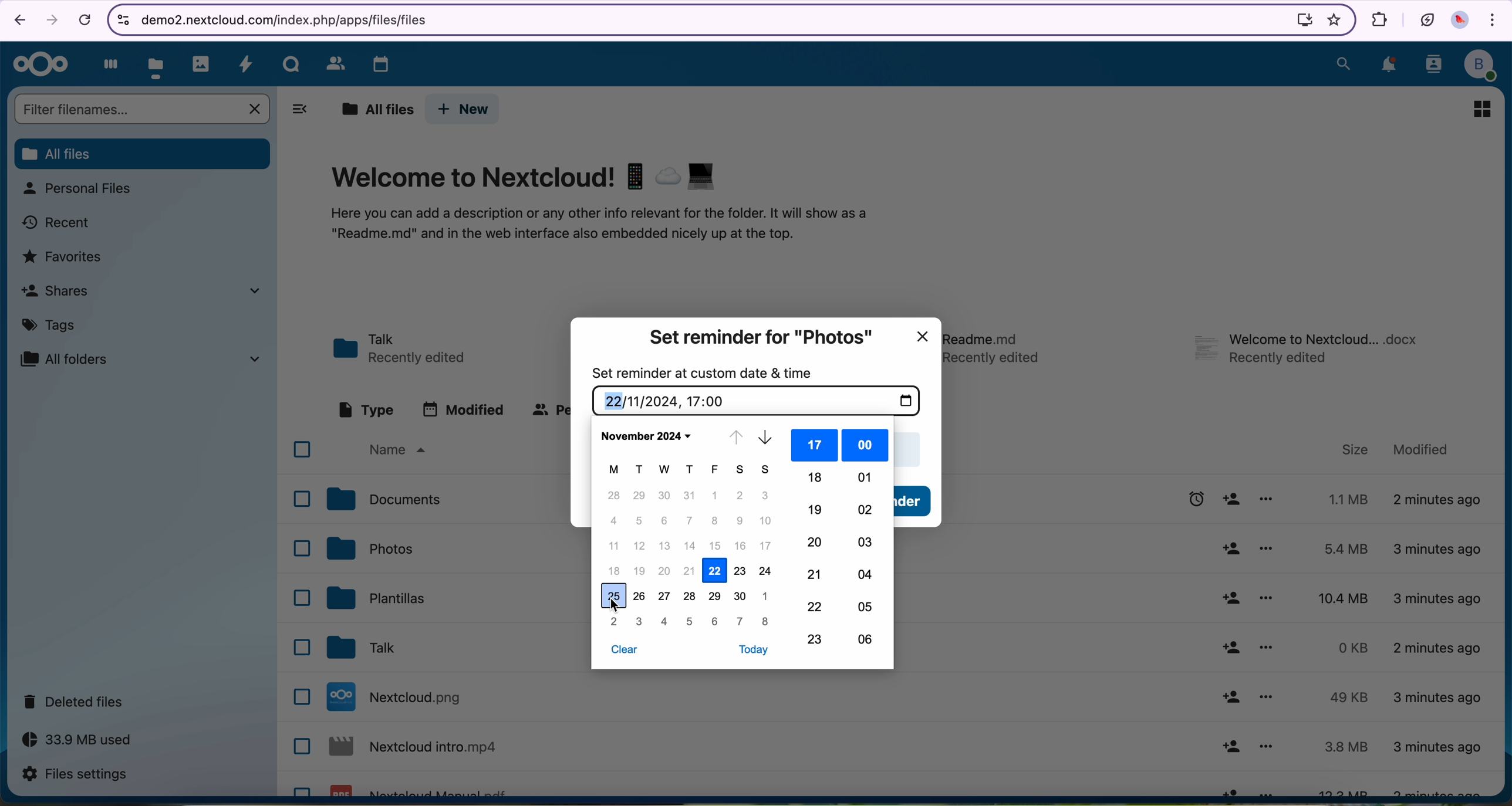 Image resolution: width=1512 pixels, height=806 pixels. I want to click on modified, so click(464, 409).